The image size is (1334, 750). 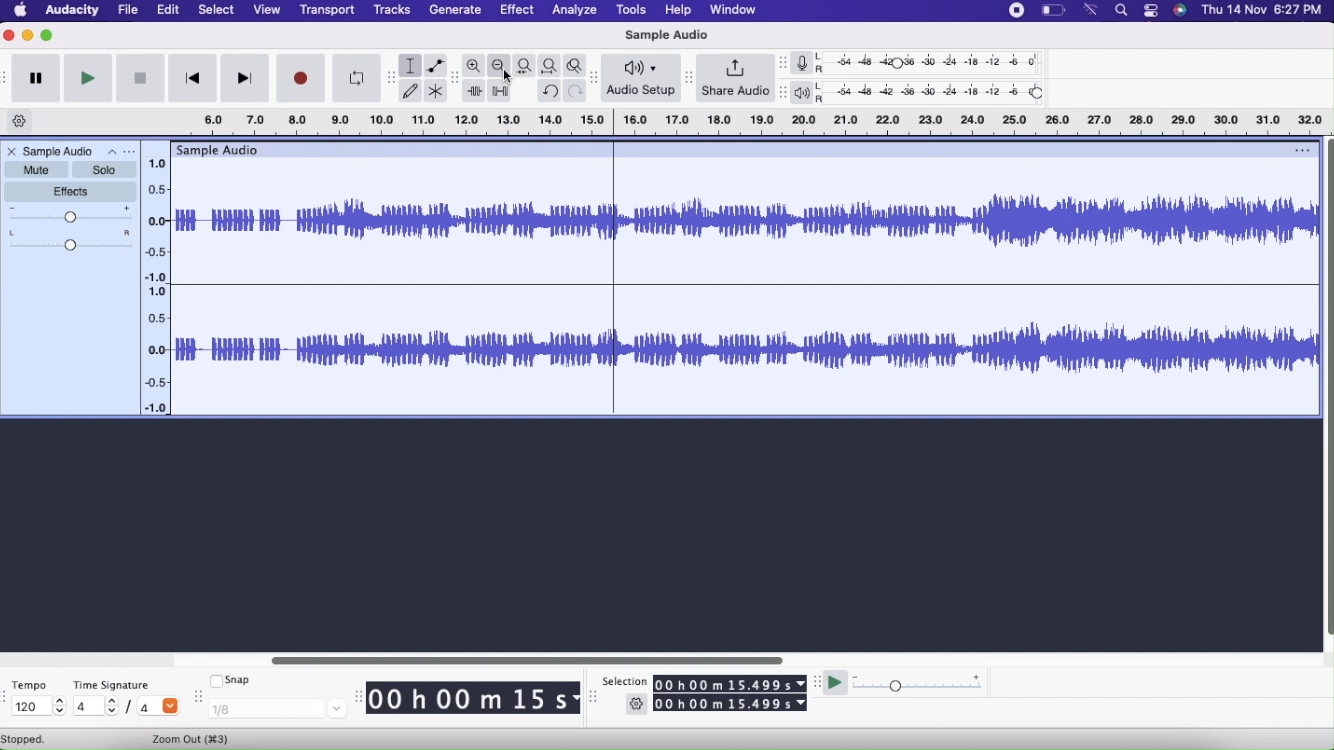 I want to click on Tools, so click(x=634, y=11).